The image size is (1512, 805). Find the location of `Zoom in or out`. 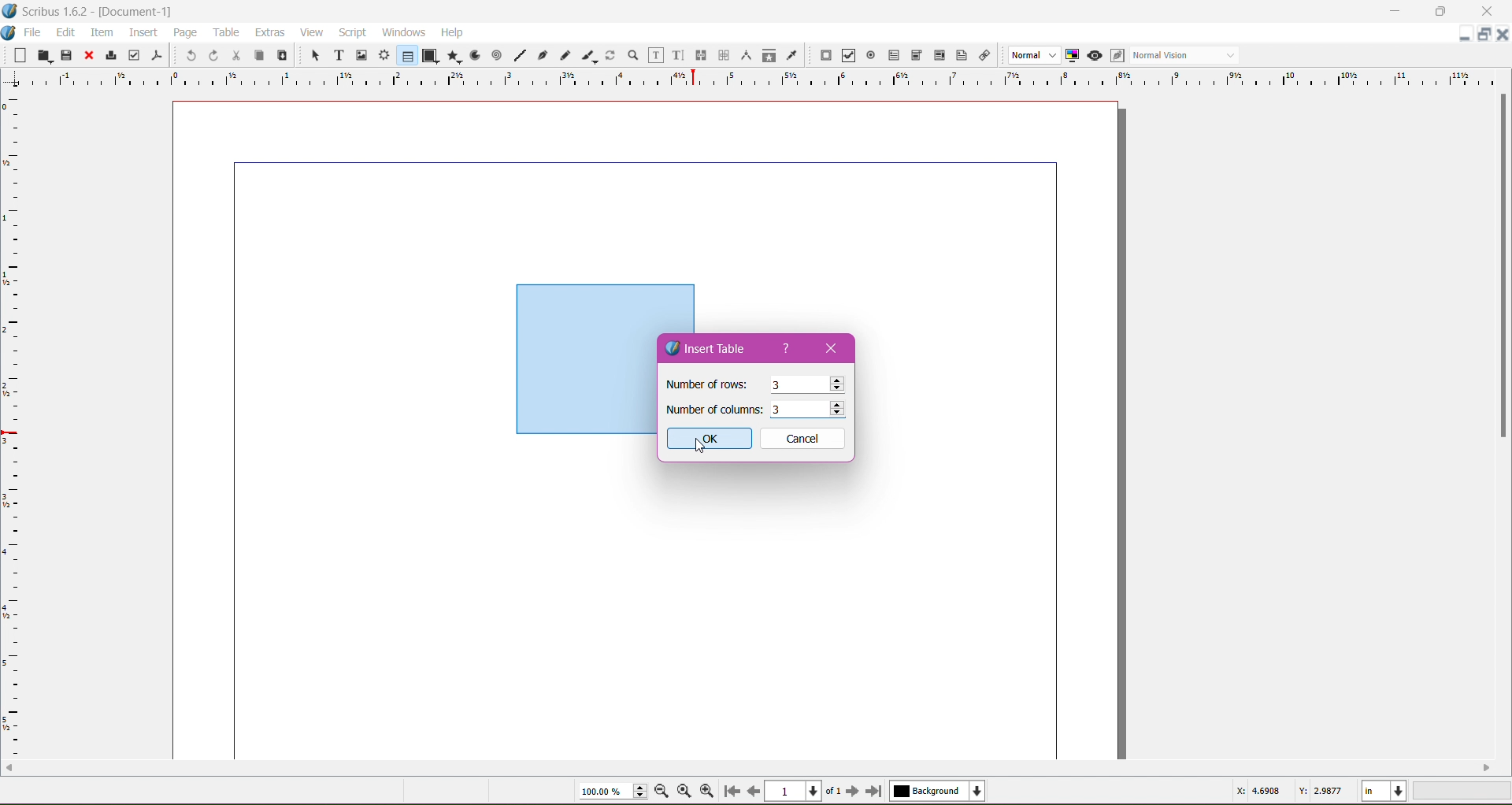

Zoom in or out is located at coordinates (628, 54).